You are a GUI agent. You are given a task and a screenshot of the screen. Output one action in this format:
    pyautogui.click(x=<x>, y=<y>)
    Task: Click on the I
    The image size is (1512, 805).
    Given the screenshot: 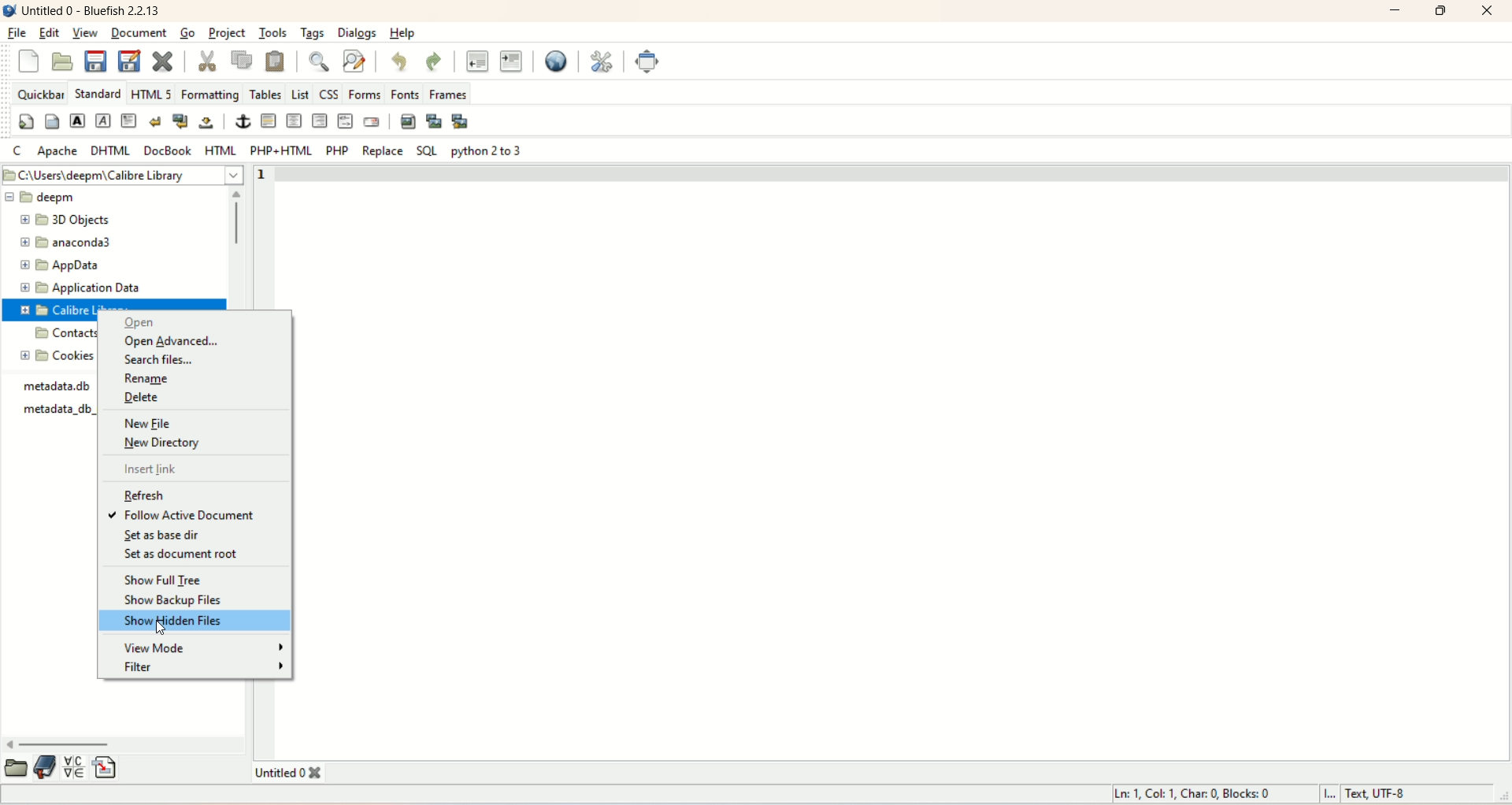 What is the action you would take?
    pyautogui.click(x=1334, y=796)
    